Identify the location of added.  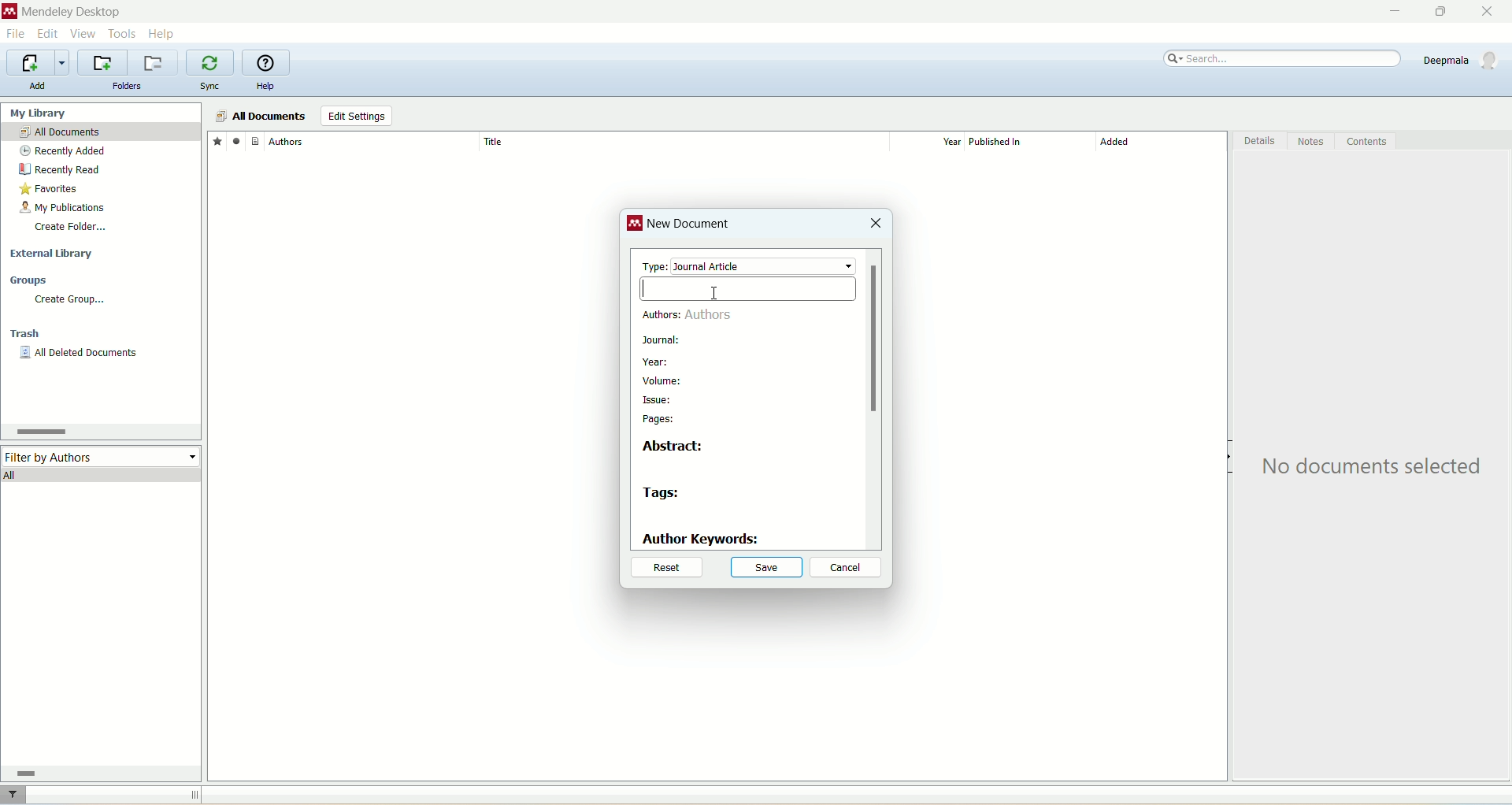
(1162, 146).